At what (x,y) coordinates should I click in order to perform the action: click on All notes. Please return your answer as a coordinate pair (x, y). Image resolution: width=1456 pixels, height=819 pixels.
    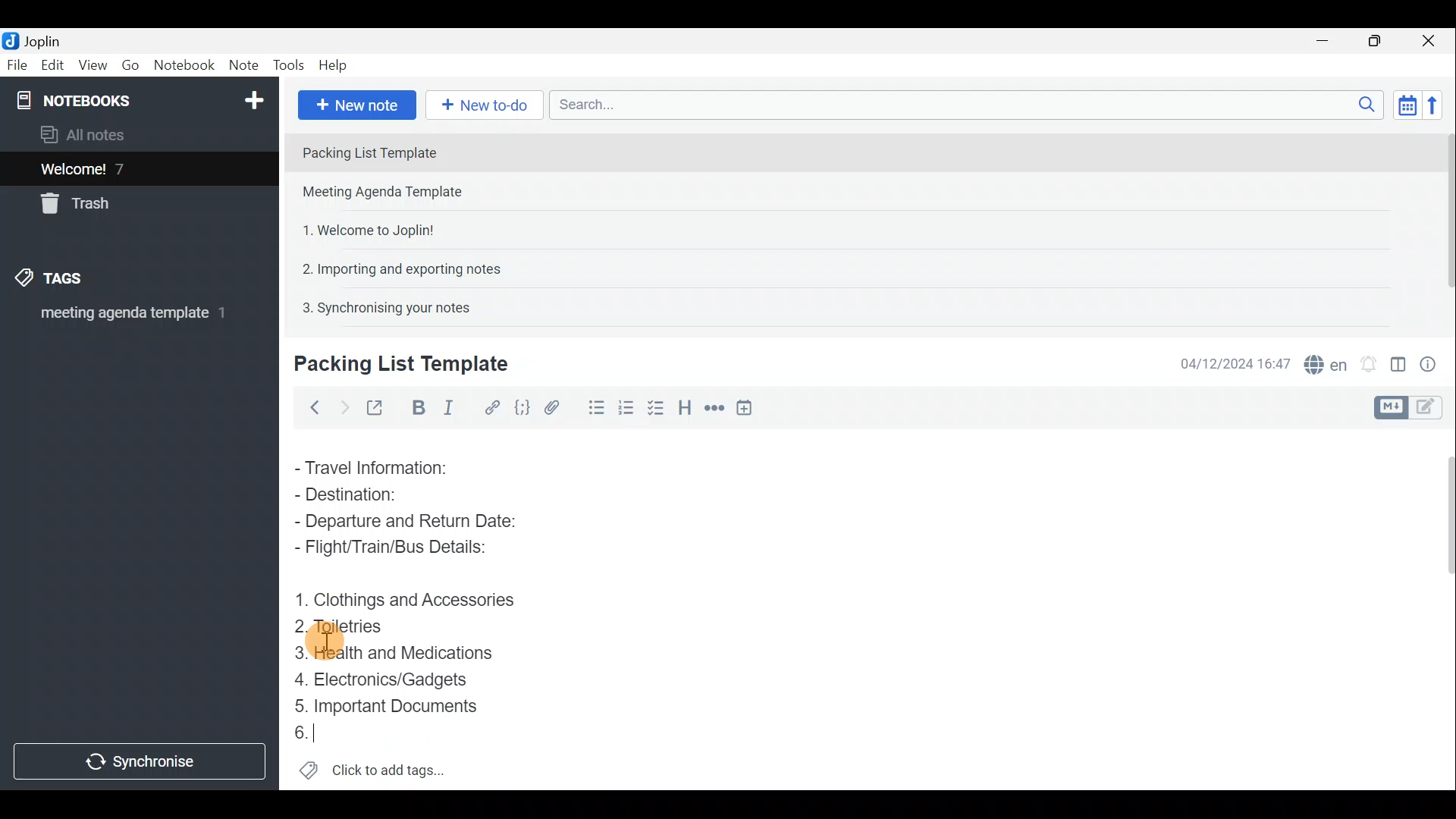
    Looking at the image, I should click on (88, 134).